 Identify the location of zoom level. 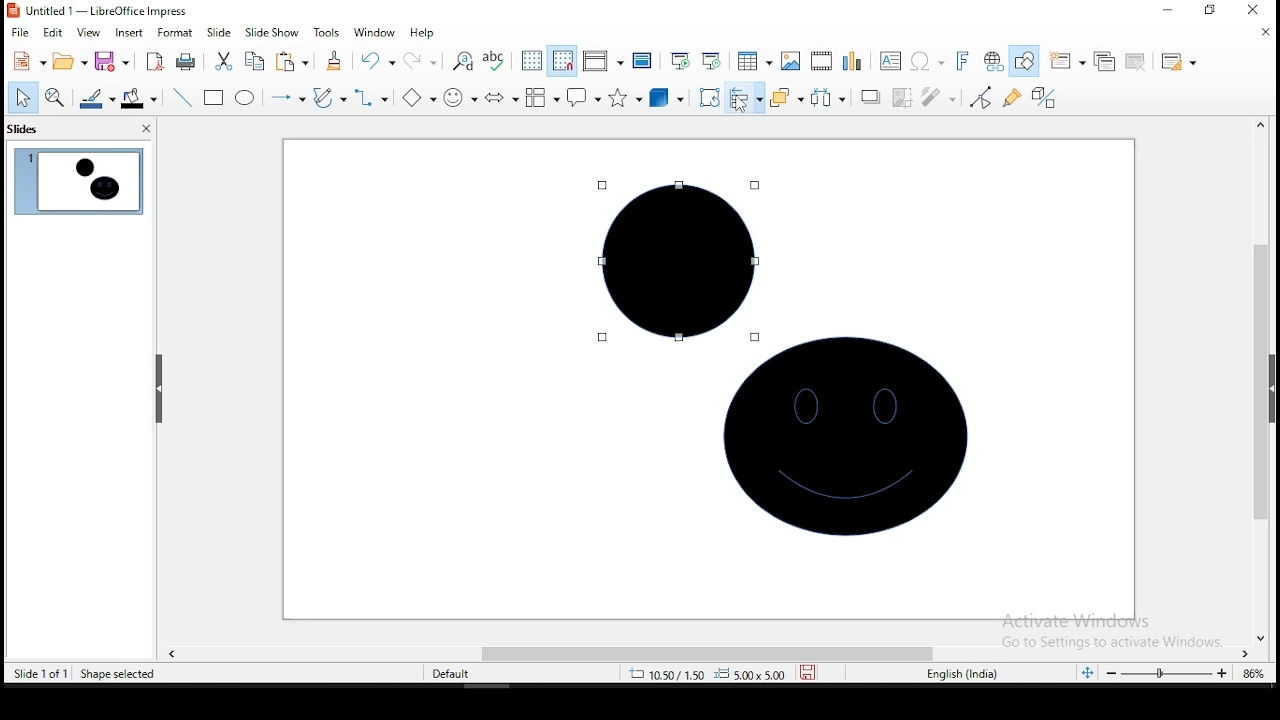
(1251, 673).